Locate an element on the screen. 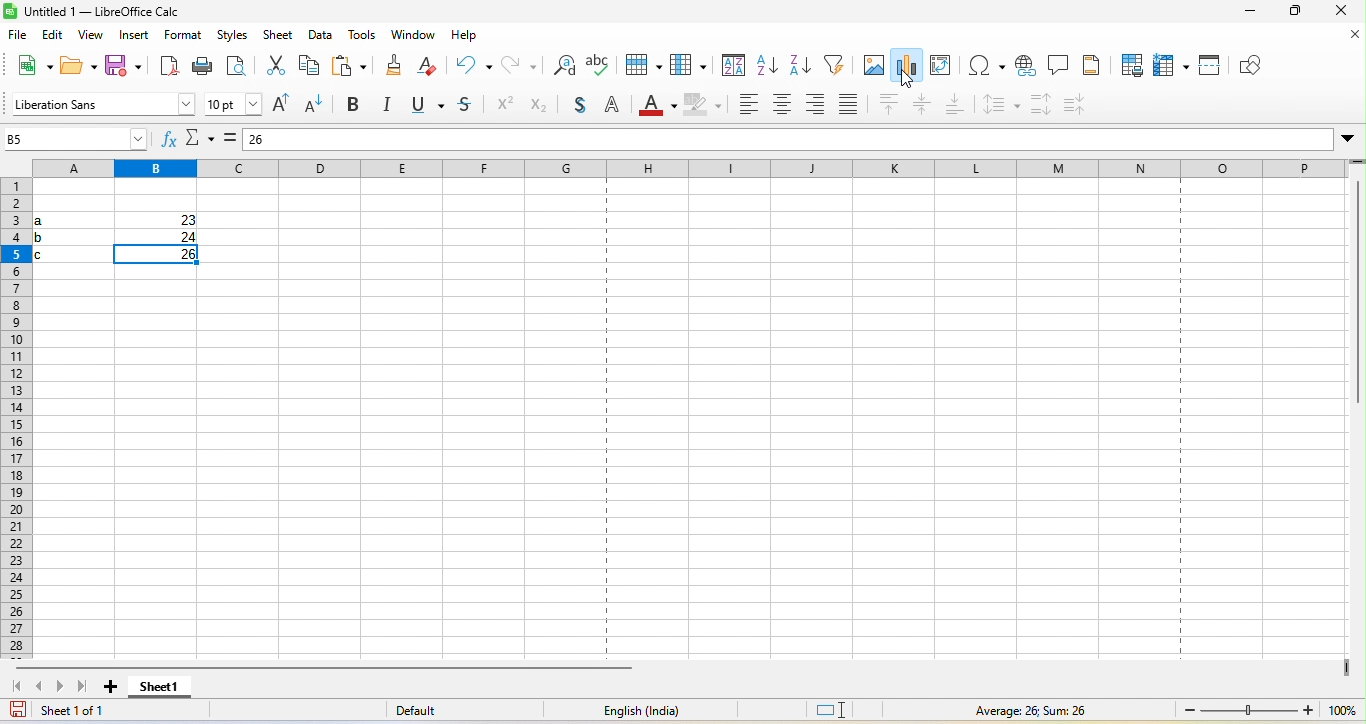  font name is located at coordinates (101, 103).